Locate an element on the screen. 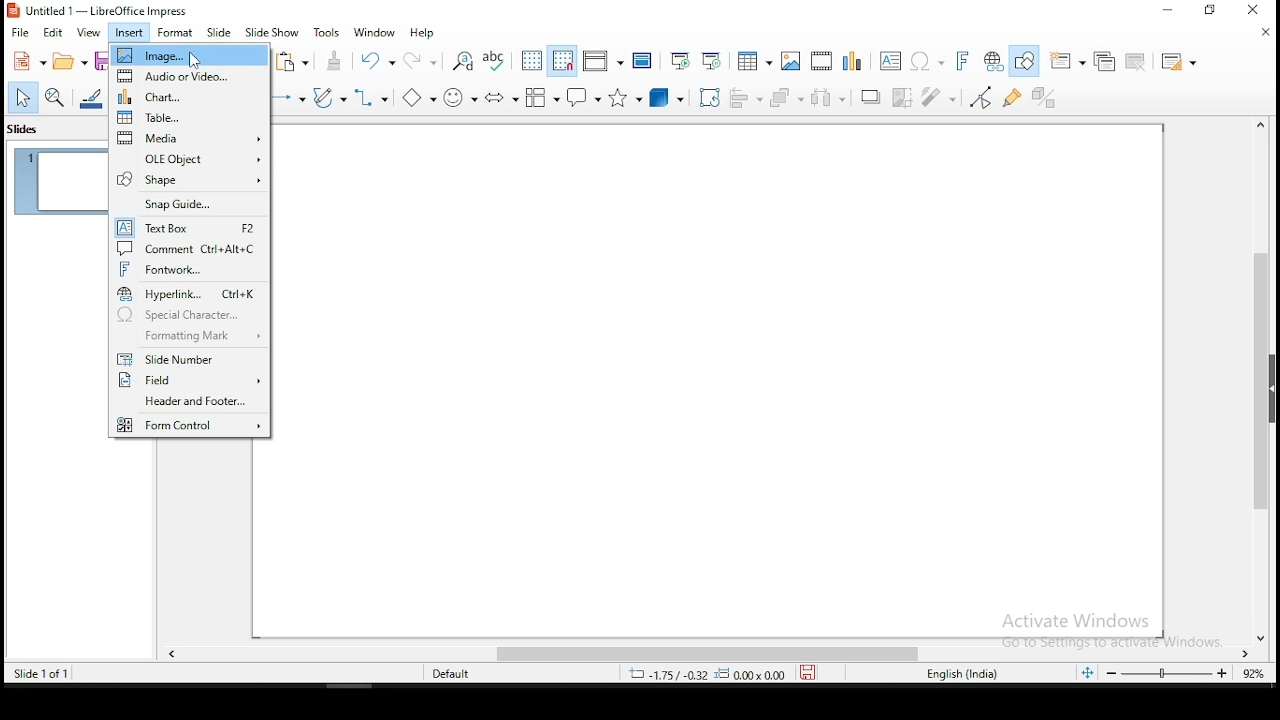 This screenshot has height=720, width=1280. form control is located at coordinates (191, 425).